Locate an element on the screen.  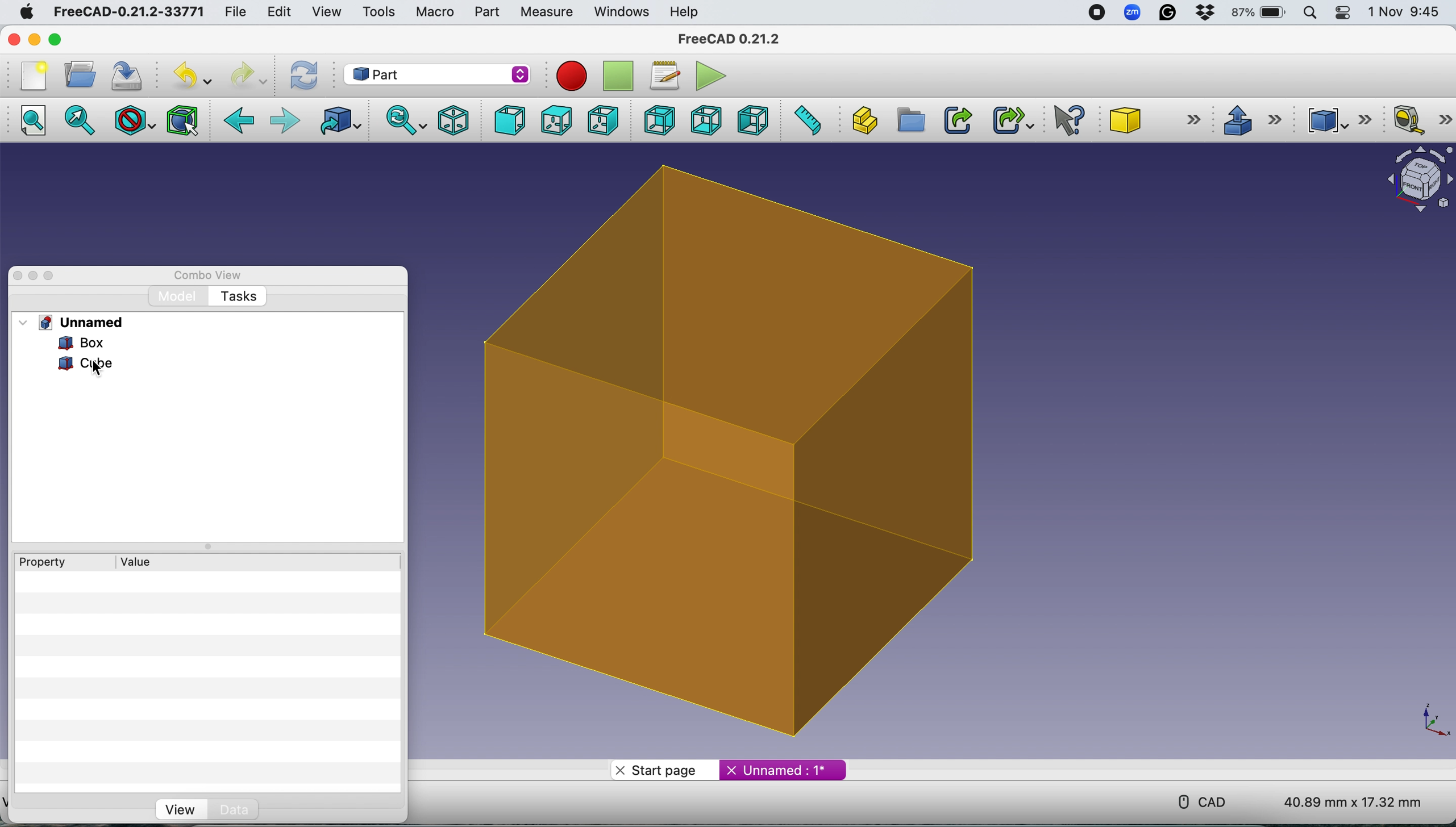
Go to linked object is located at coordinates (343, 121).